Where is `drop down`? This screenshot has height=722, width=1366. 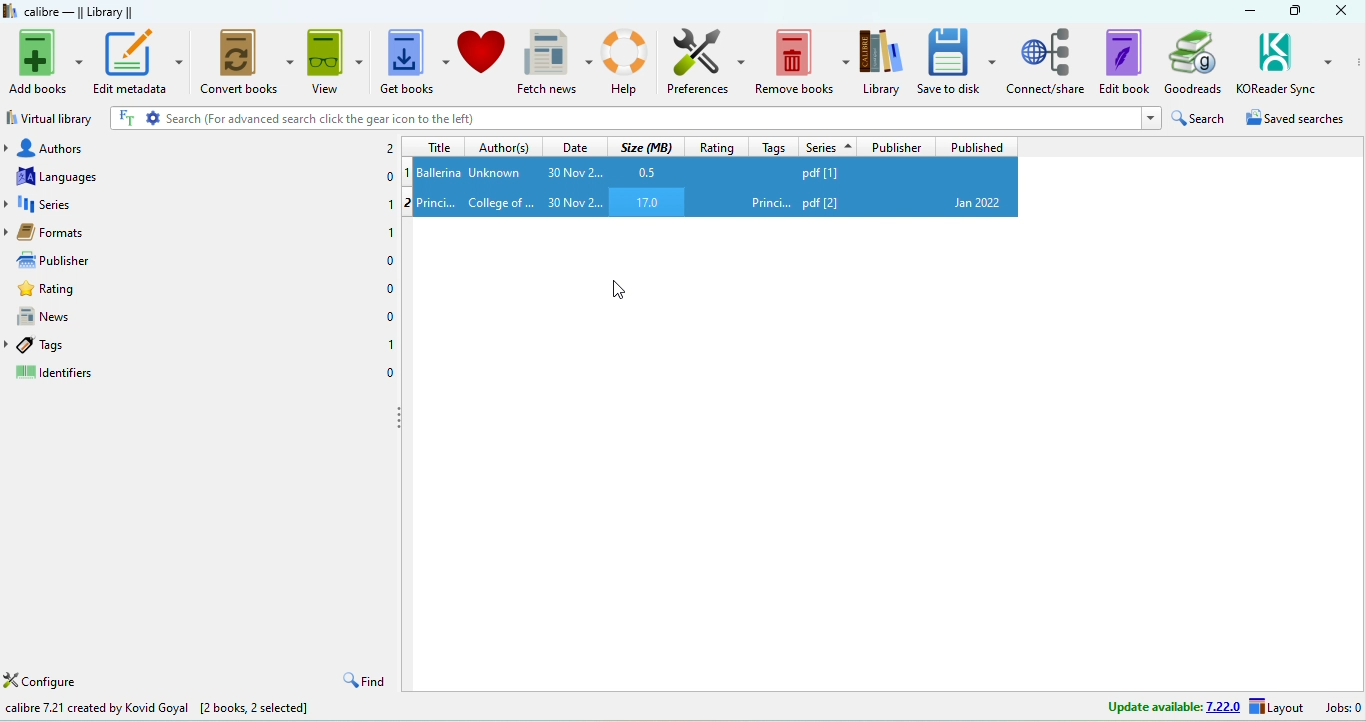
drop down is located at coordinates (9, 205).